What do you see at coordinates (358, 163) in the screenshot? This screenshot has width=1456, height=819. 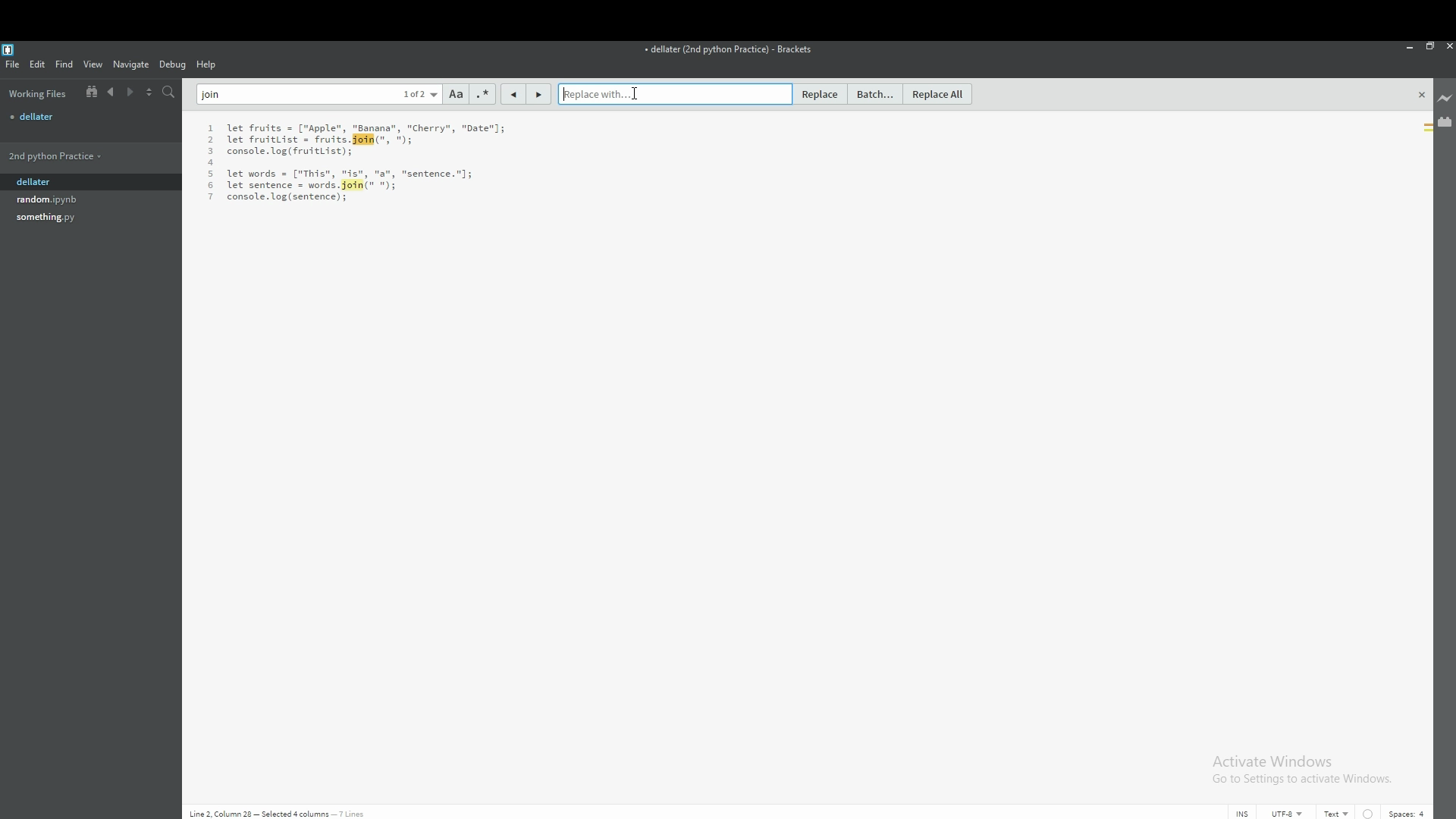 I see `text` at bounding box center [358, 163].